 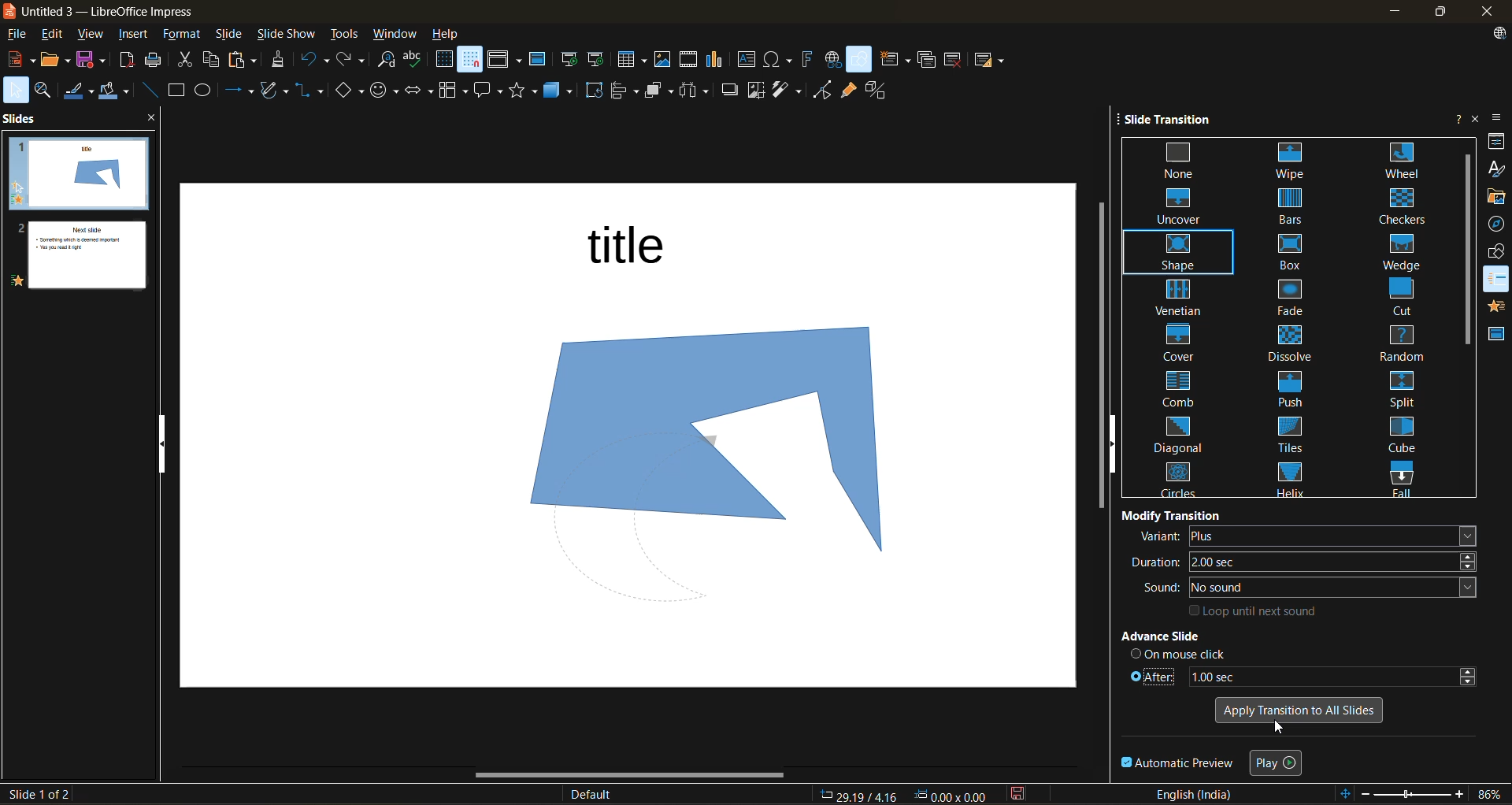 I want to click on close pane, so click(x=154, y=121).